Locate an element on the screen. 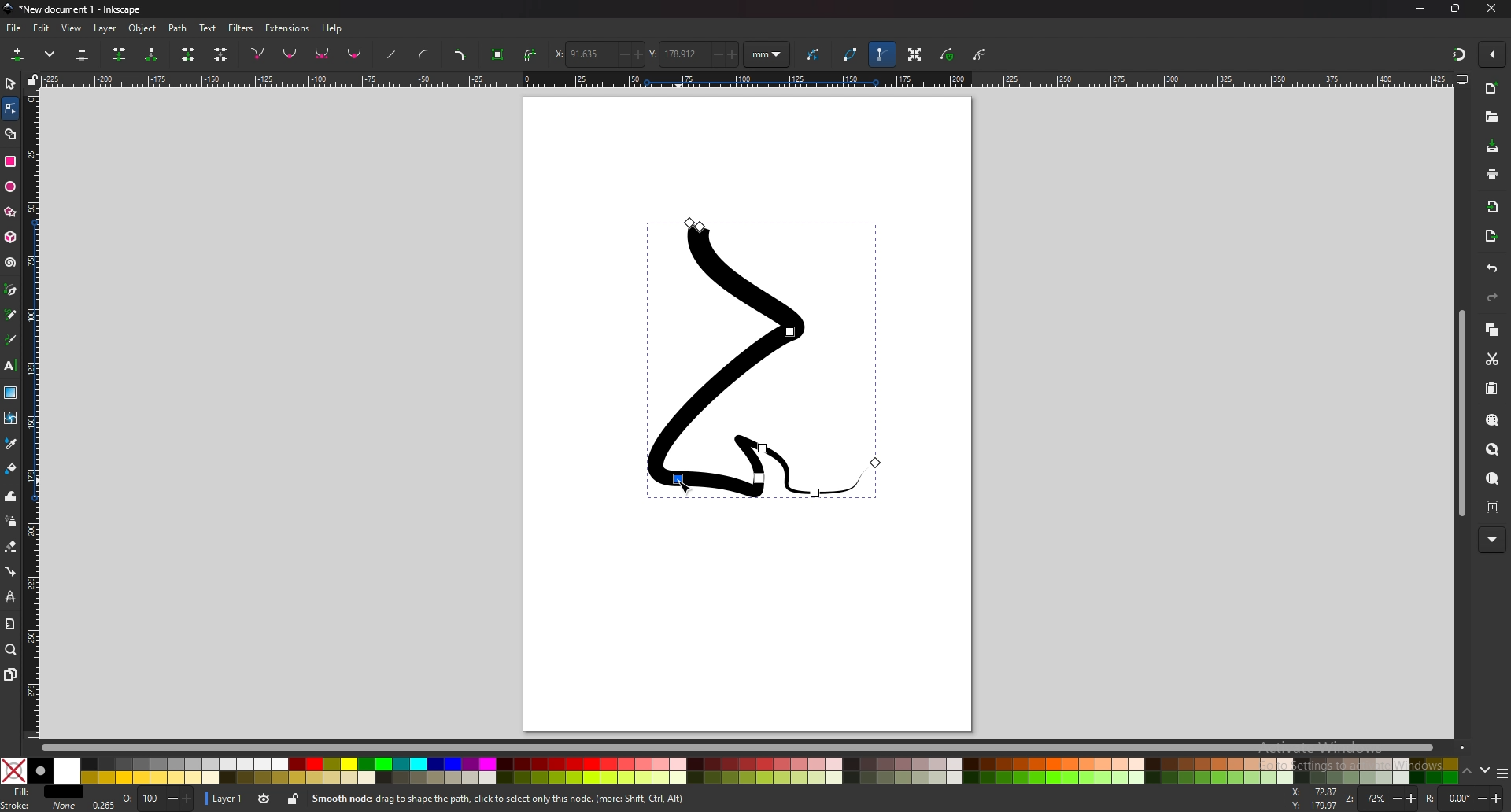  auto smooth is located at coordinates (356, 55).